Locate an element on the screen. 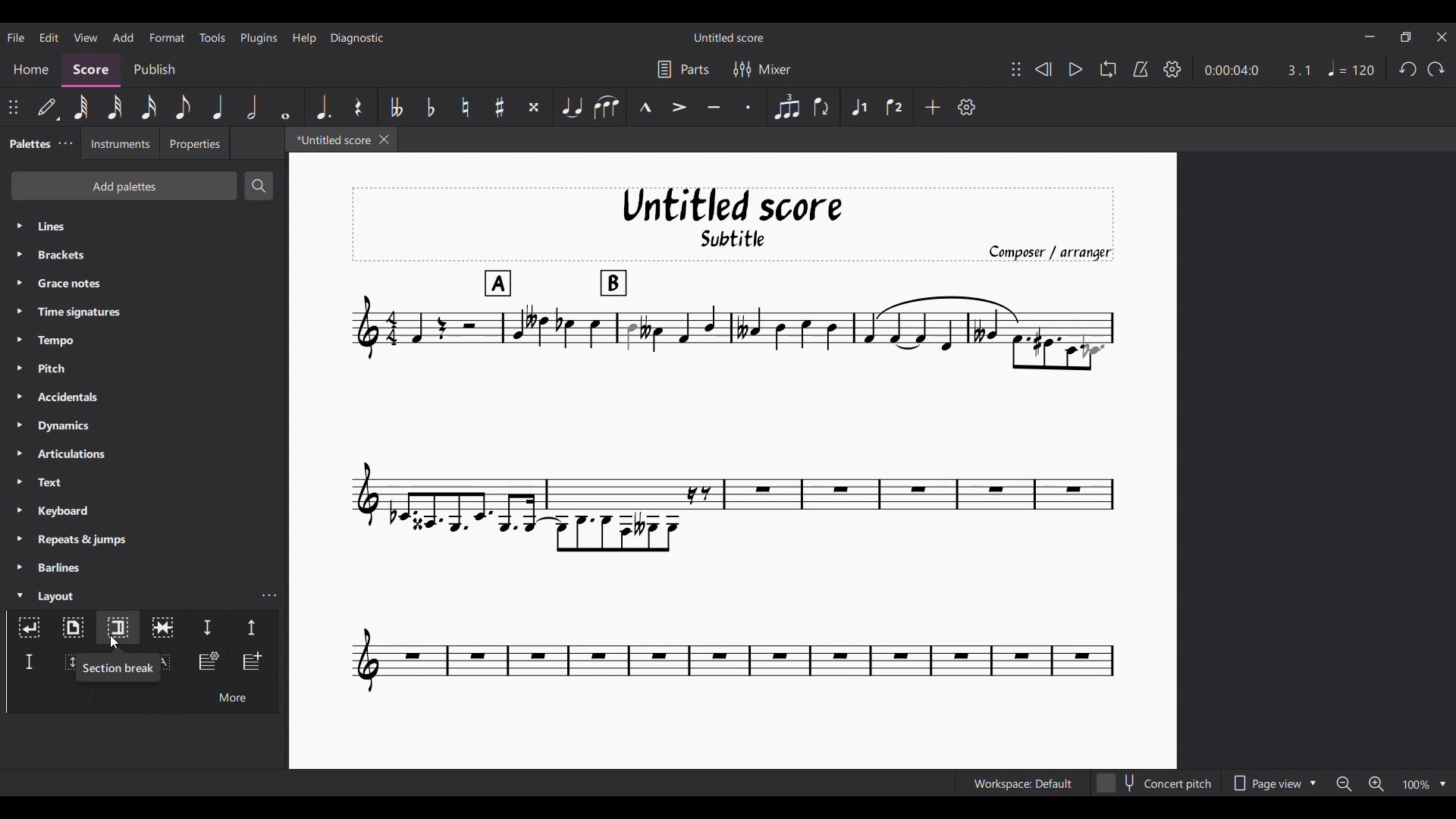 This screenshot has width=1456, height=819. Close tab is located at coordinates (384, 140).